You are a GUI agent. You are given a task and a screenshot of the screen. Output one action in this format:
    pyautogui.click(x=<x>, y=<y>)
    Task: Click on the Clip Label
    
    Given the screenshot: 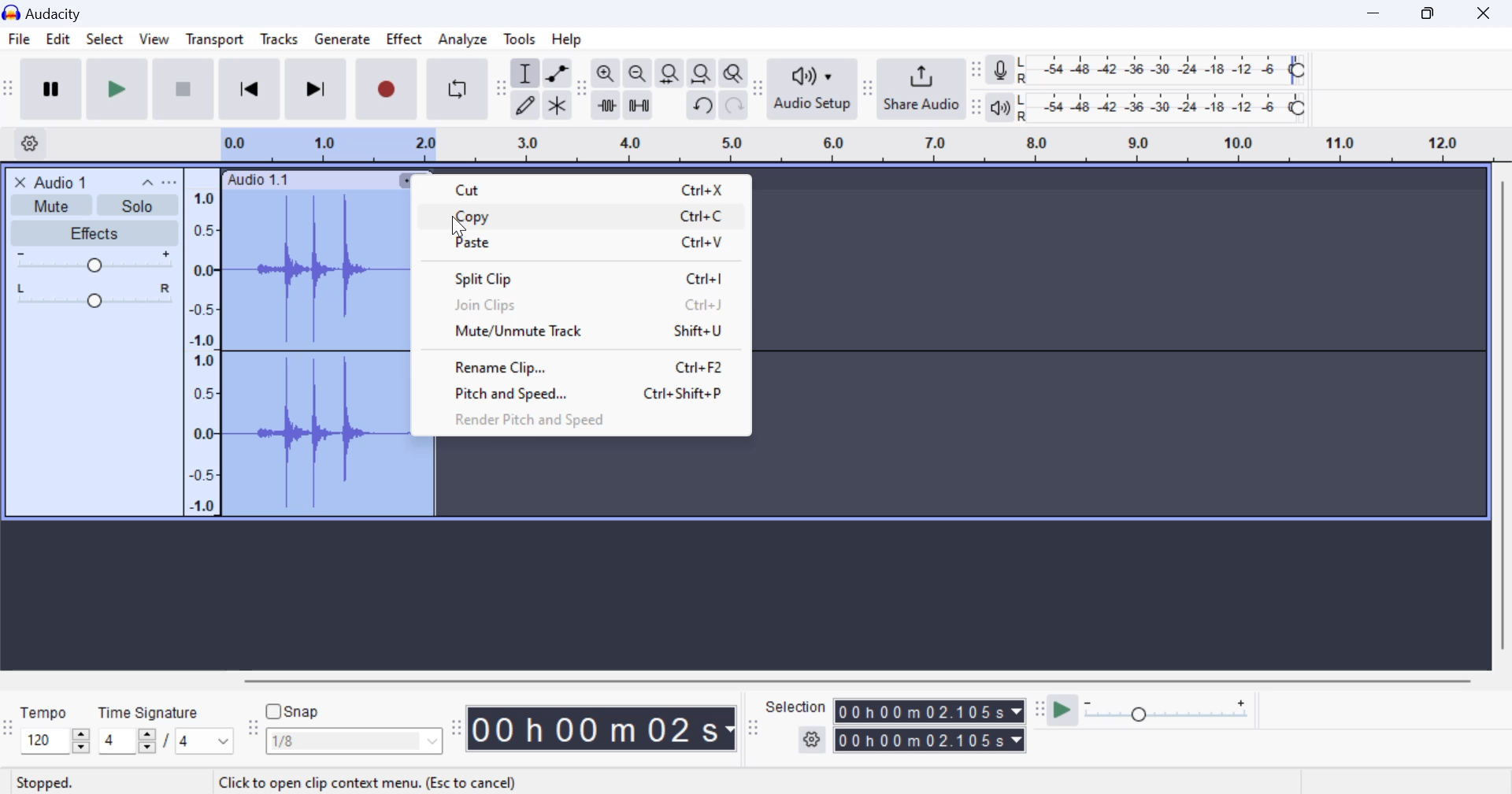 What is the action you would take?
    pyautogui.click(x=259, y=180)
    